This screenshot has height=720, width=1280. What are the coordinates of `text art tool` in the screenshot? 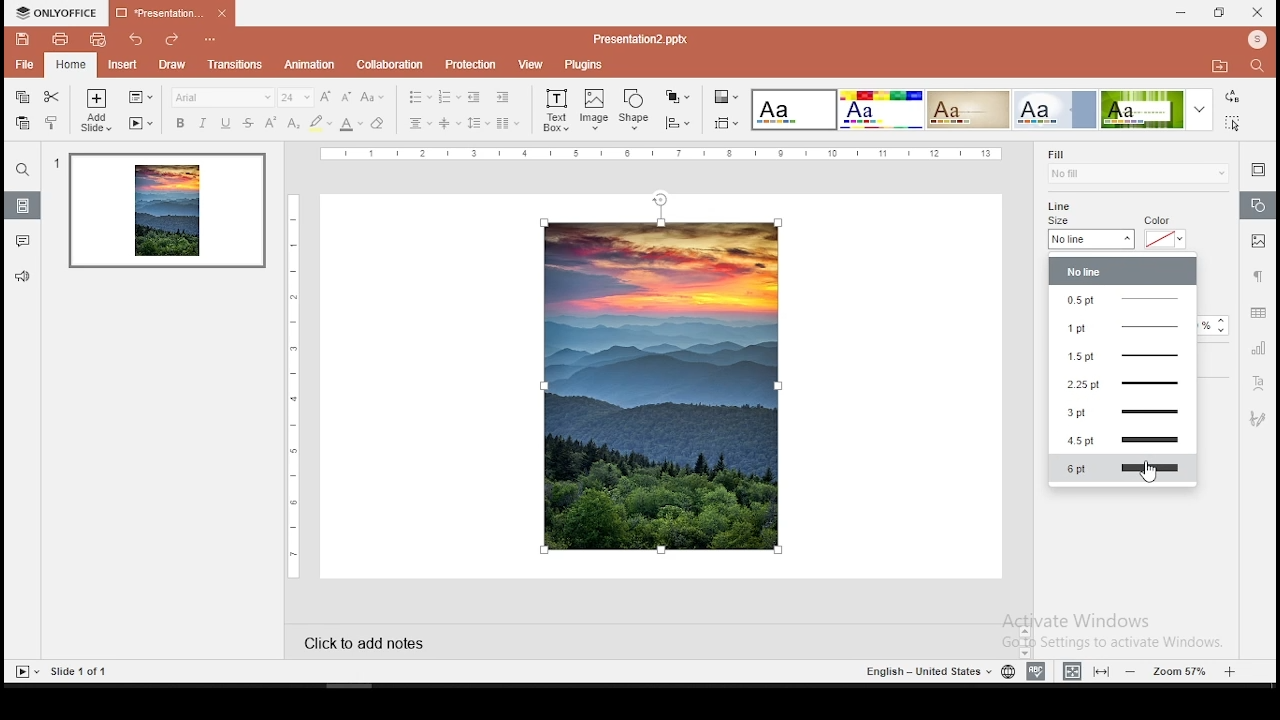 It's located at (1259, 385).